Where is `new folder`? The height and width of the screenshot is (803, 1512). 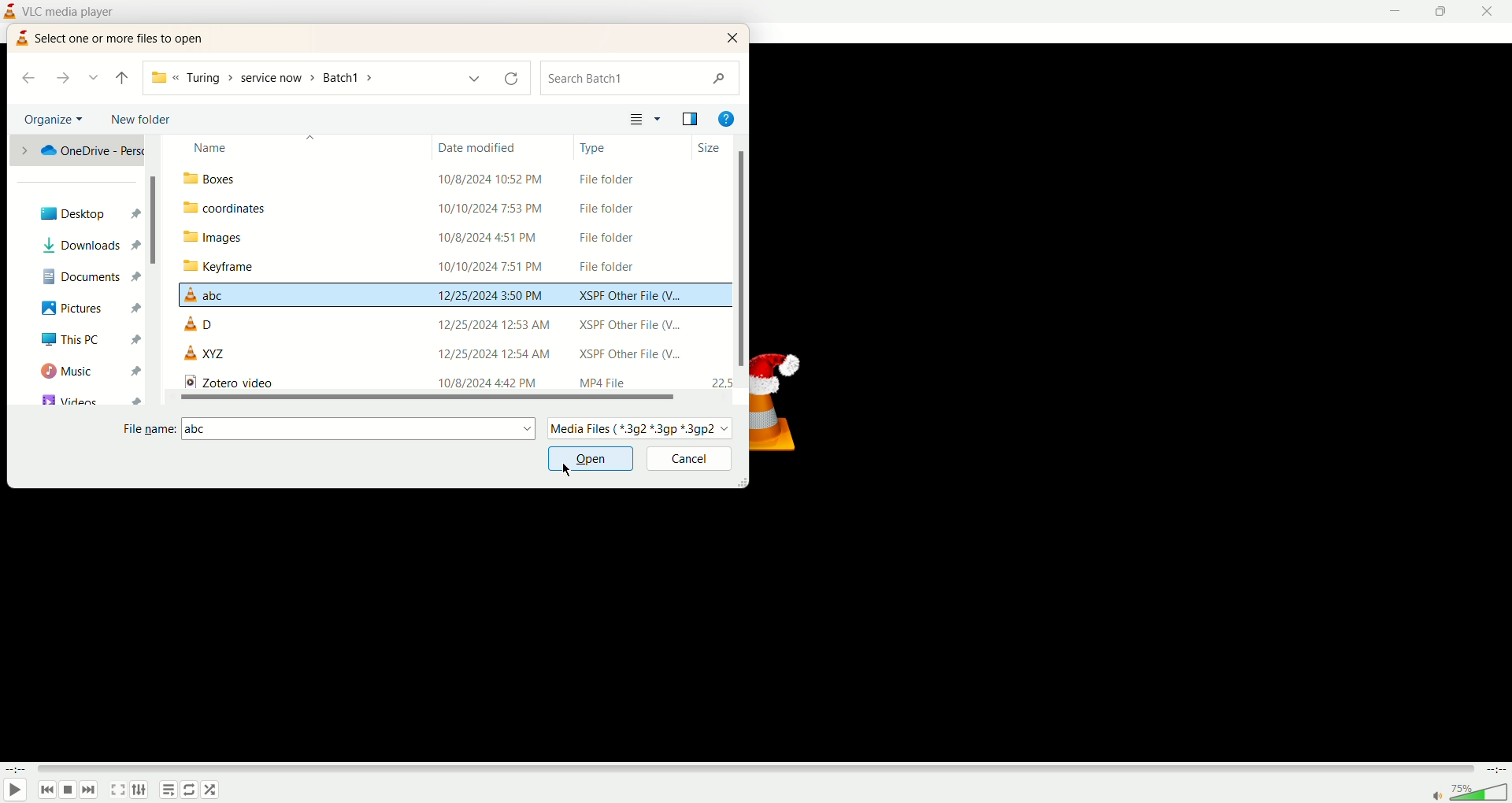
new folder is located at coordinates (144, 120).